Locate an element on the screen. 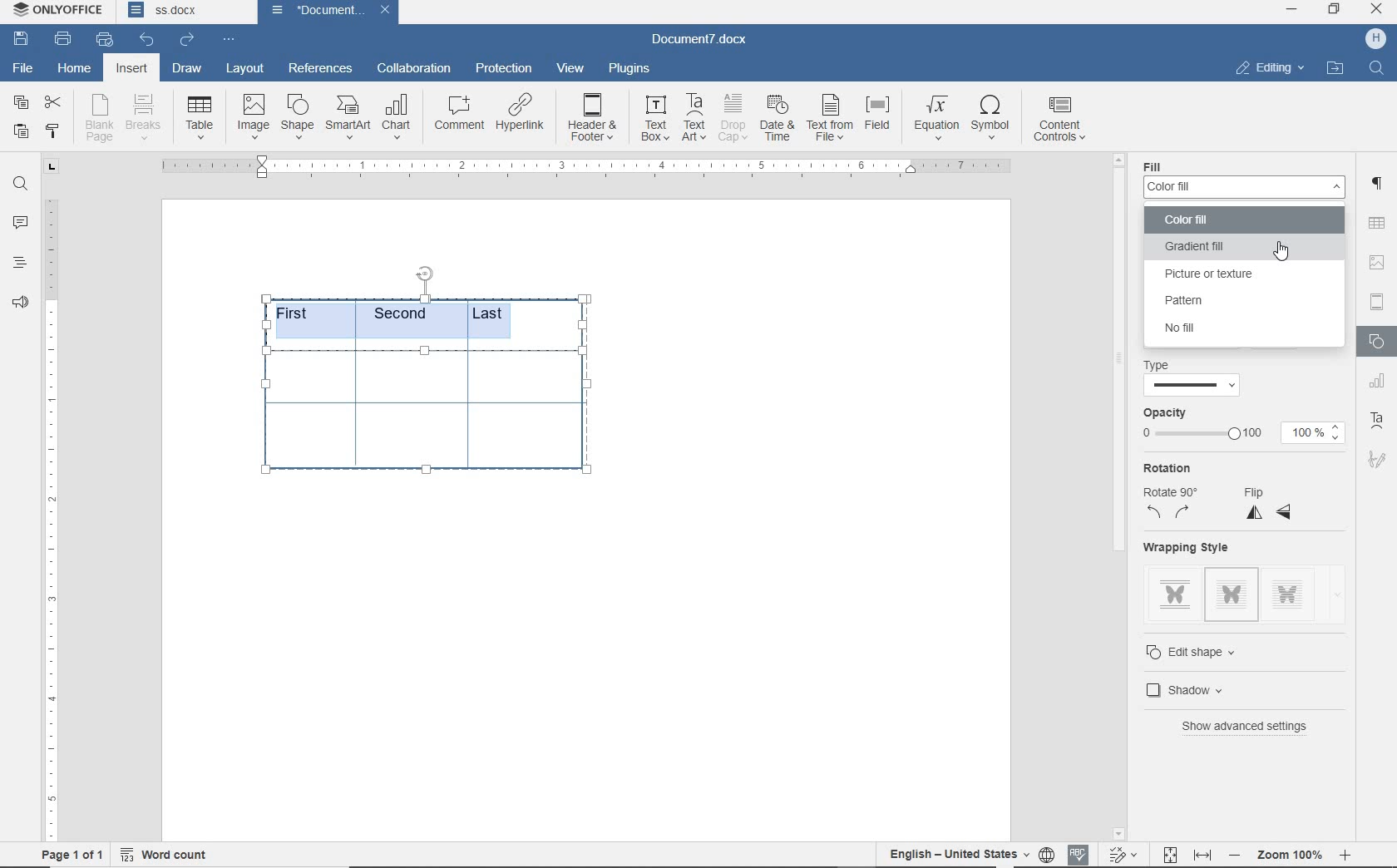 The height and width of the screenshot is (868, 1397). flip is located at coordinates (1269, 503).